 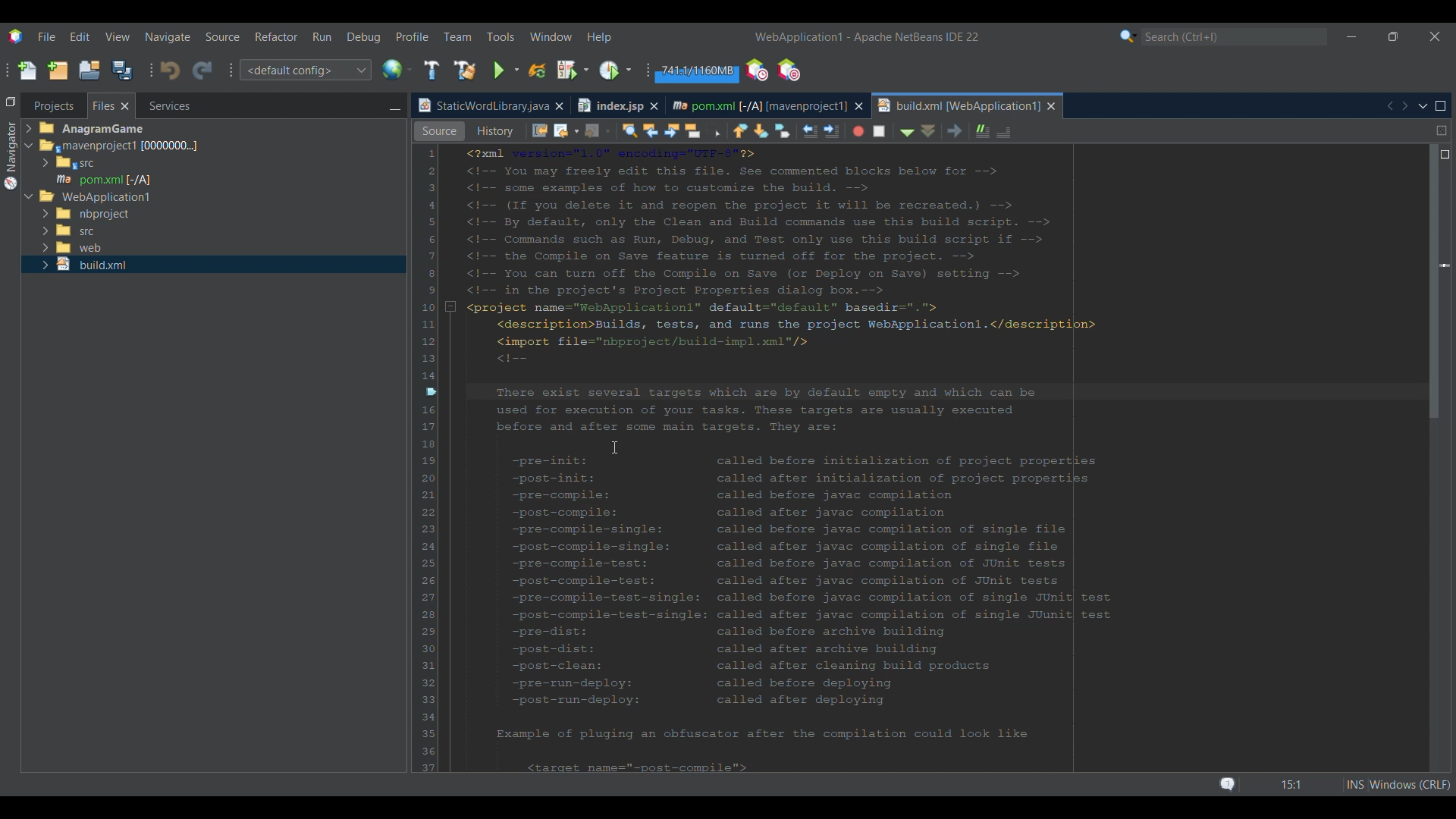 I want to click on Toggle rectangular selection, so click(x=852, y=132).